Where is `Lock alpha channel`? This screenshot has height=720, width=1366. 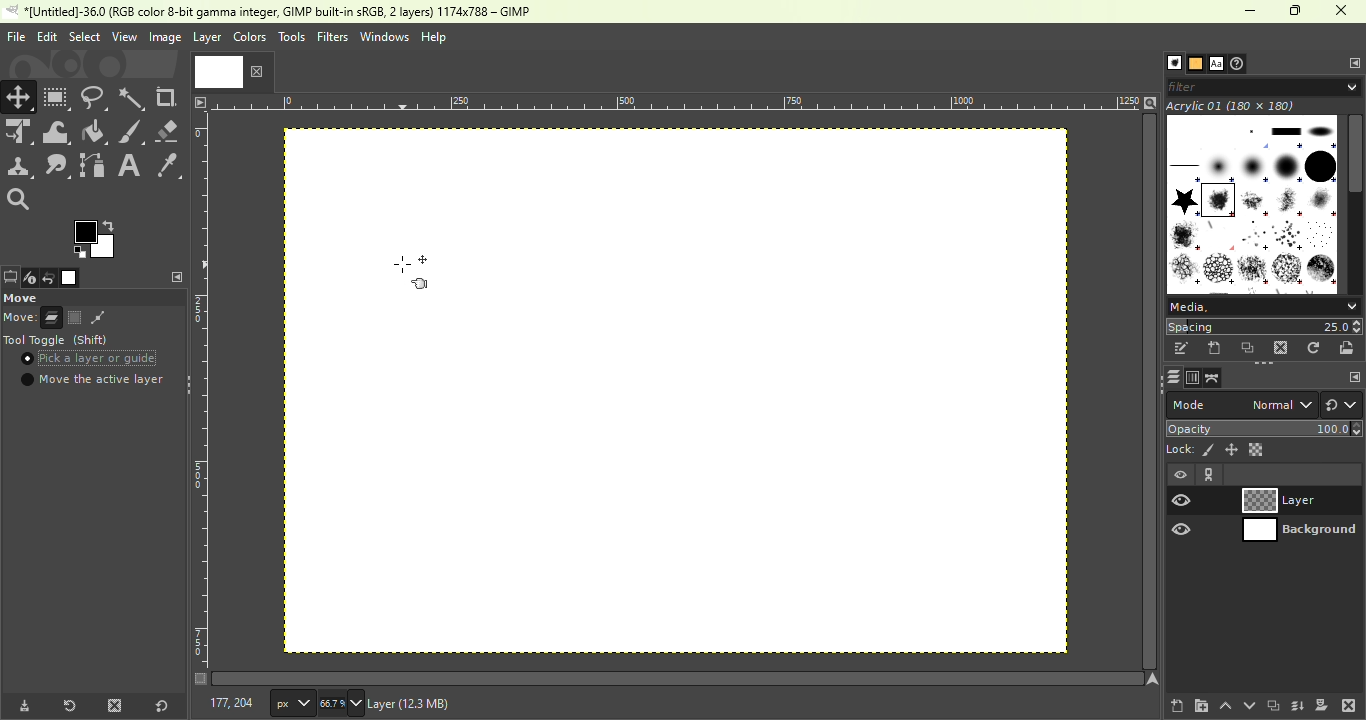
Lock alpha channel is located at coordinates (1257, 449).